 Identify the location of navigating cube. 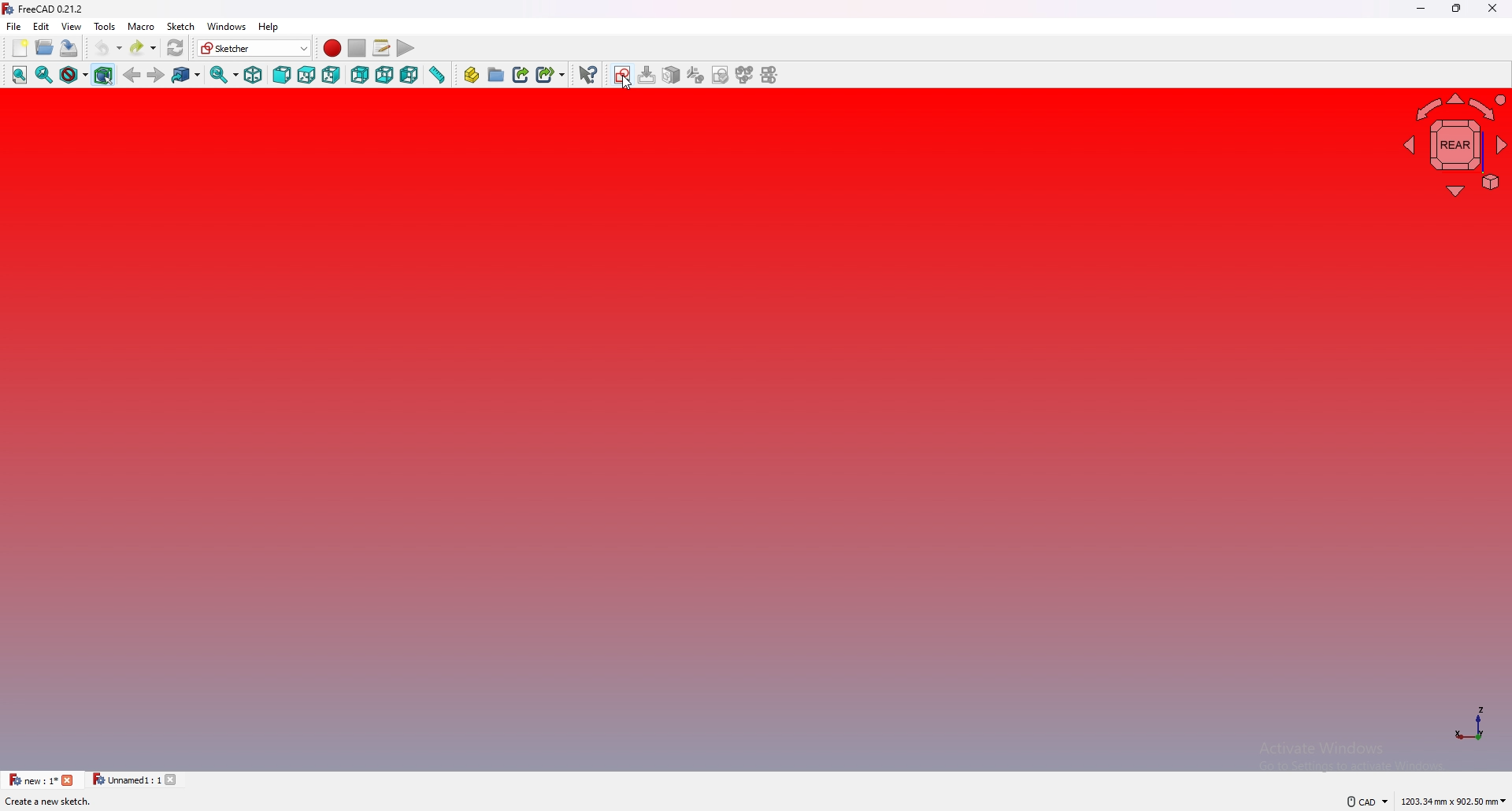
(1451, 145).